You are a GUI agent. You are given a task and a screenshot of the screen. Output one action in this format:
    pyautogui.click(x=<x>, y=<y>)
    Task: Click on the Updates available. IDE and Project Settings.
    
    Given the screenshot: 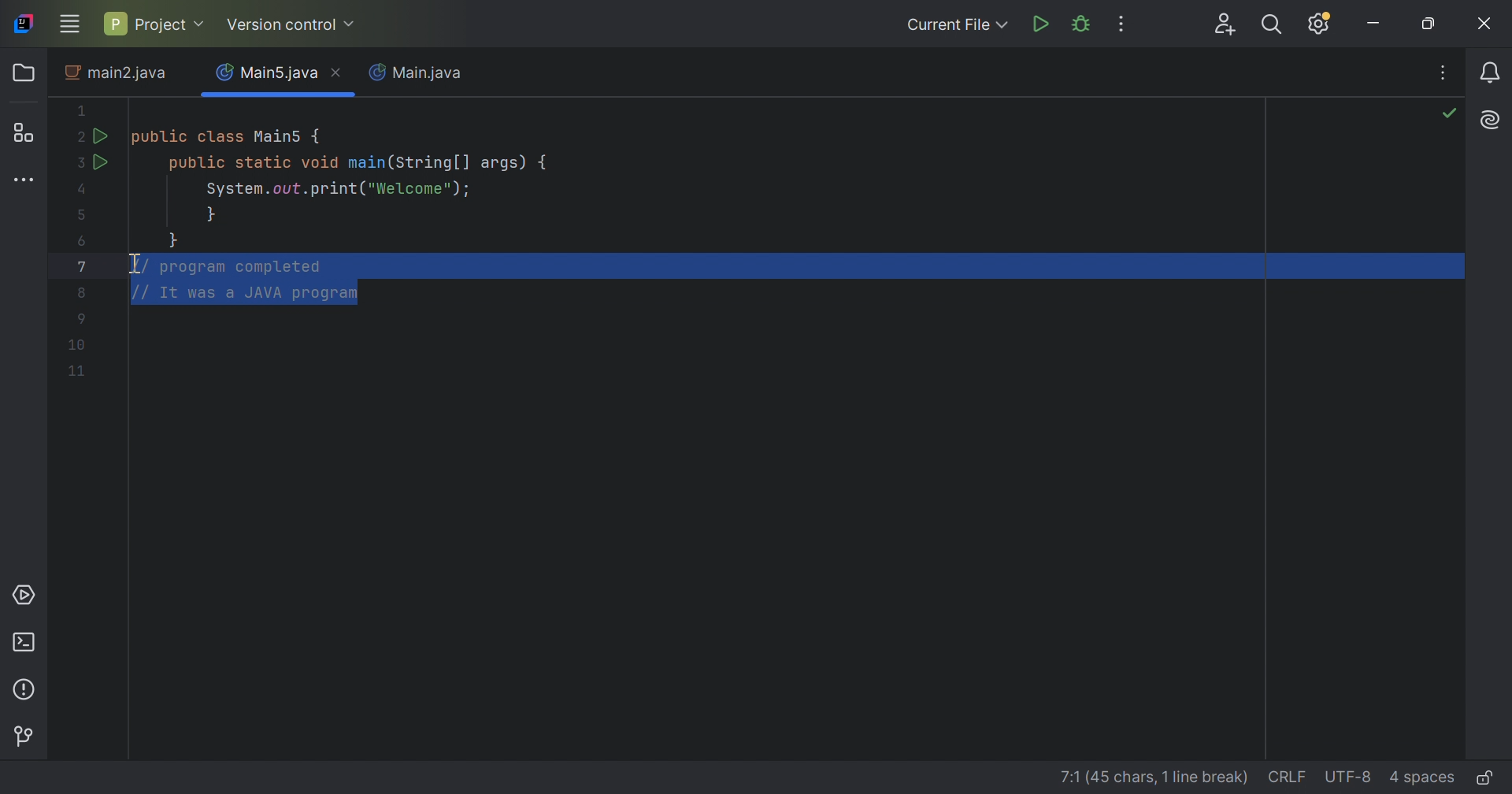 What is the action you would take?
    pyautogui.click(x=1322, y=24)
    